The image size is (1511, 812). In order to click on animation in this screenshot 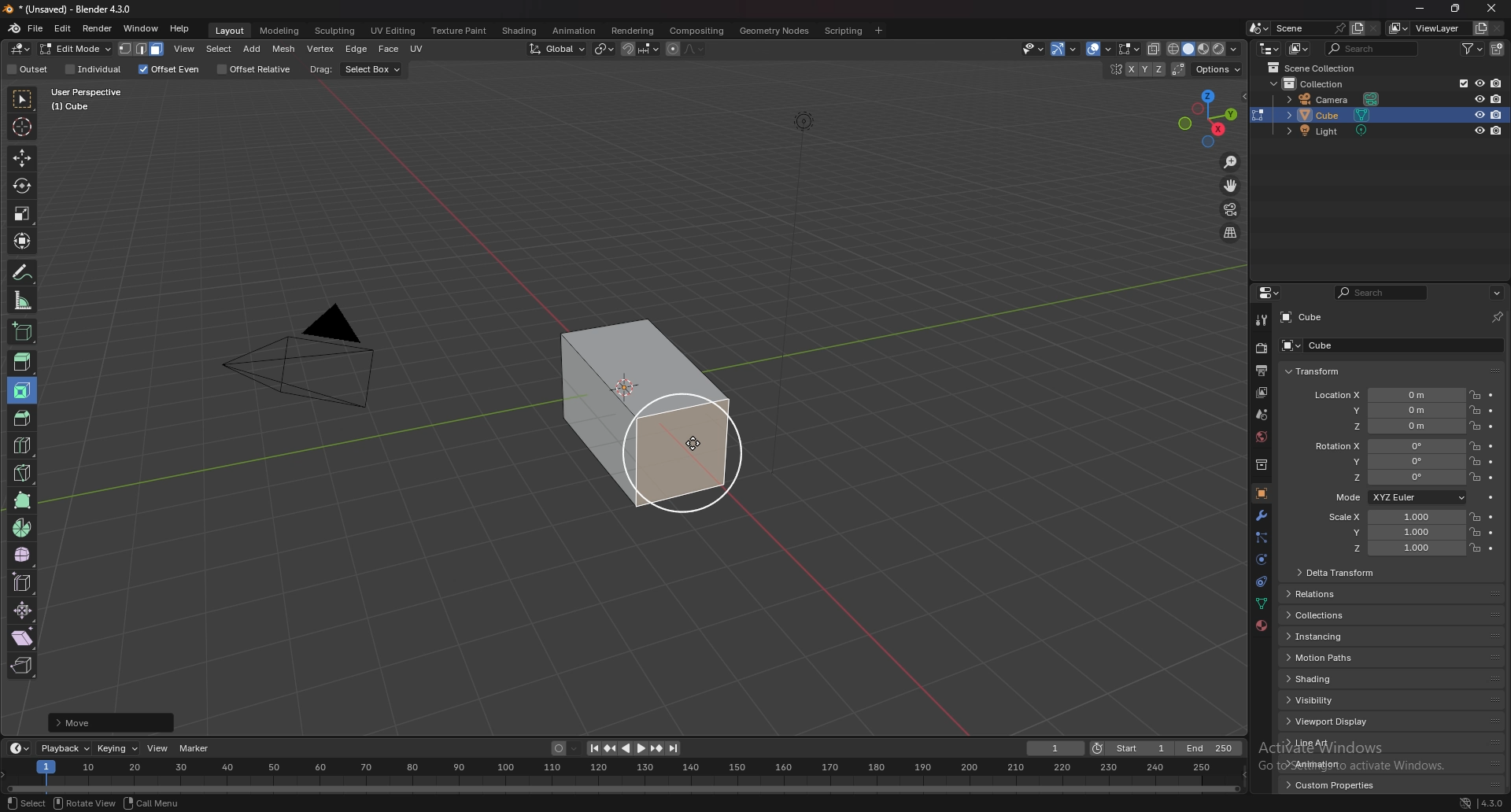, I will do `click(1331, 763)`.